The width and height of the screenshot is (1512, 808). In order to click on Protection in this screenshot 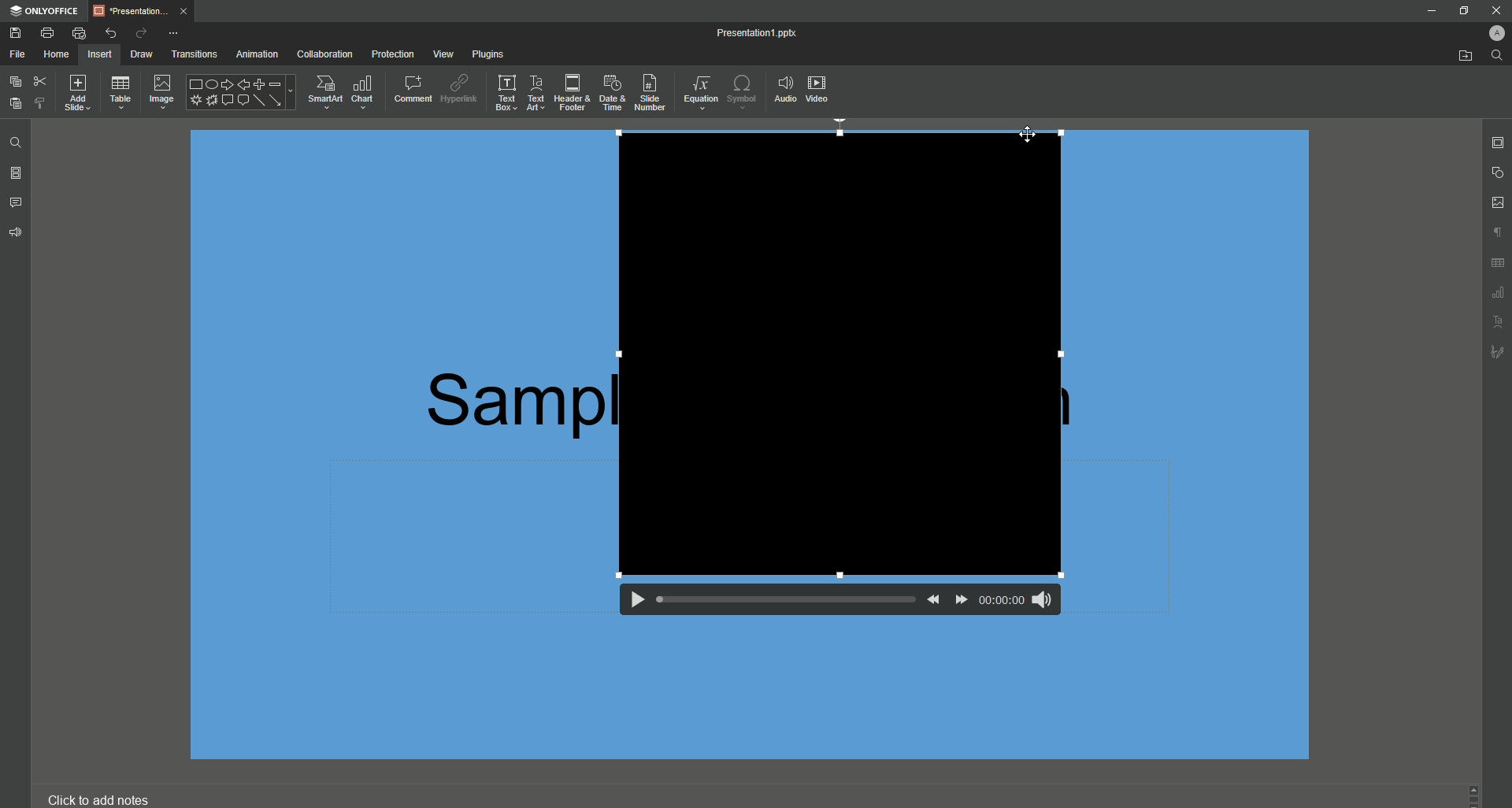, I will do `click(393, 54)`.